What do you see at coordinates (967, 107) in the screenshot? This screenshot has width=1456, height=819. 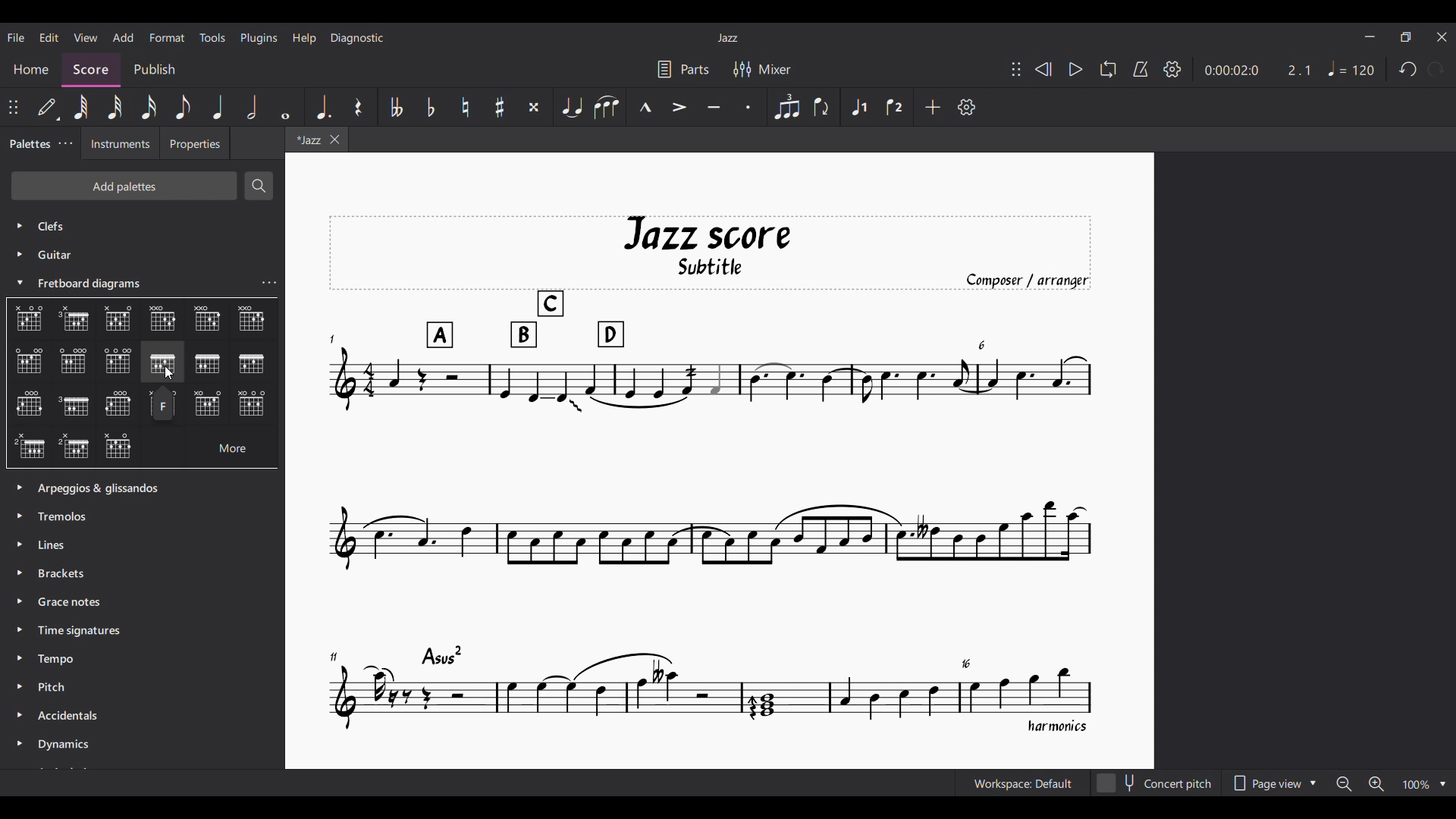 I see `Customize settings` at bounding box center [967, 107].